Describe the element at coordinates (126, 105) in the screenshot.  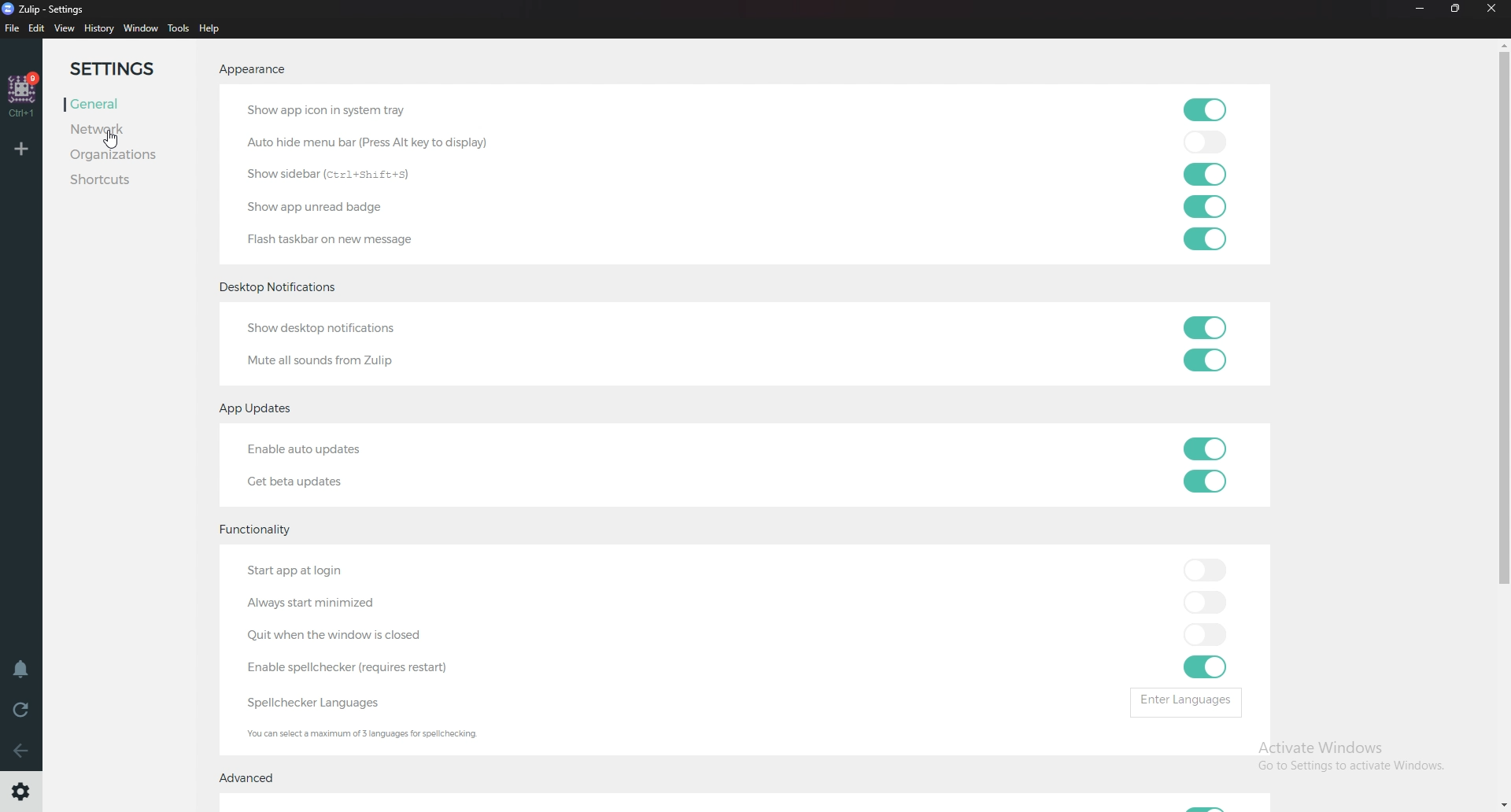
I see `General` at that location.